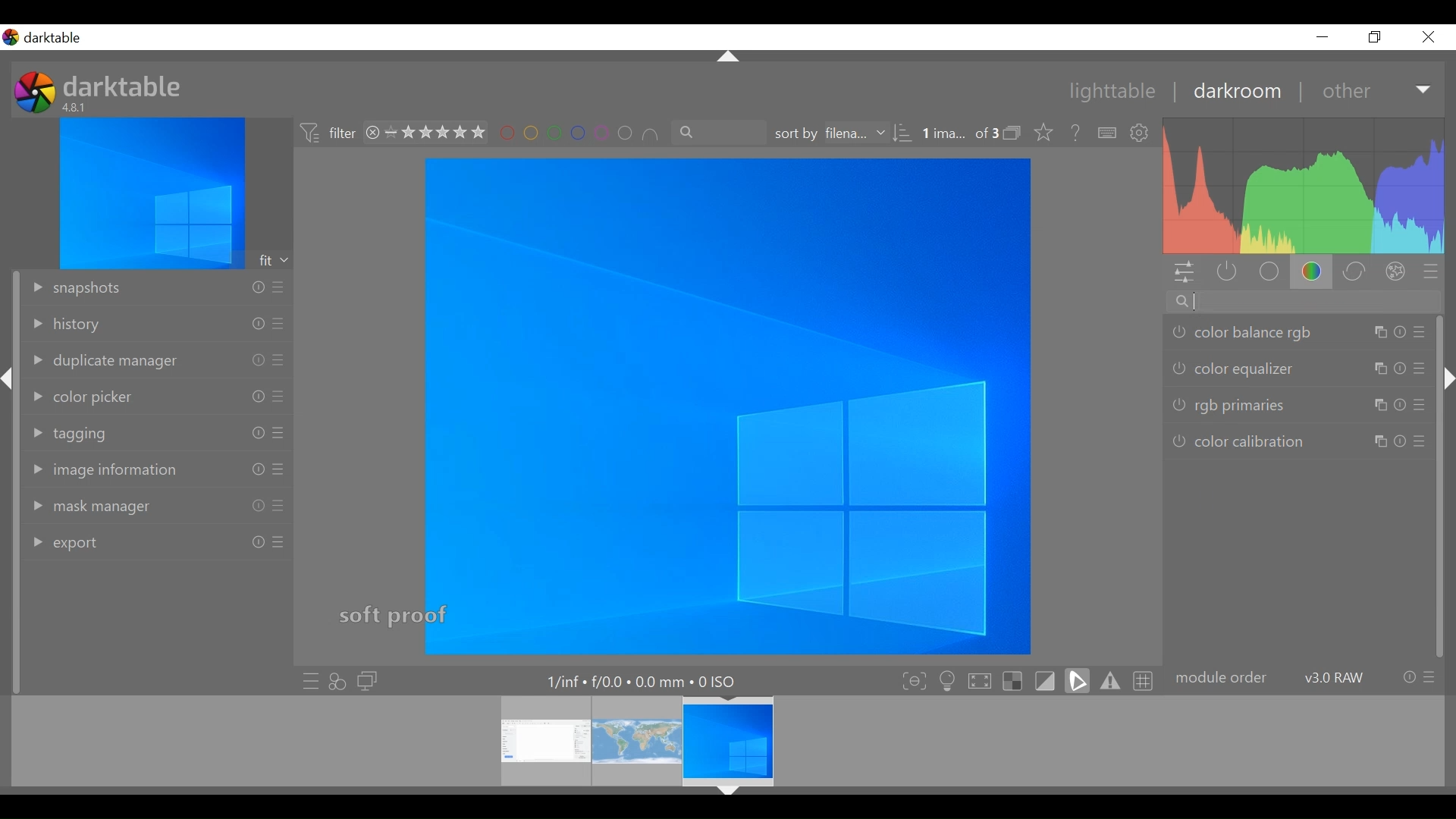 Image resolution: width=1456 pixels, height=819 pixels. Describe the element at coordinates (1012, 133) in the screenshot. I see `expand/collapse grouped images` at that location.